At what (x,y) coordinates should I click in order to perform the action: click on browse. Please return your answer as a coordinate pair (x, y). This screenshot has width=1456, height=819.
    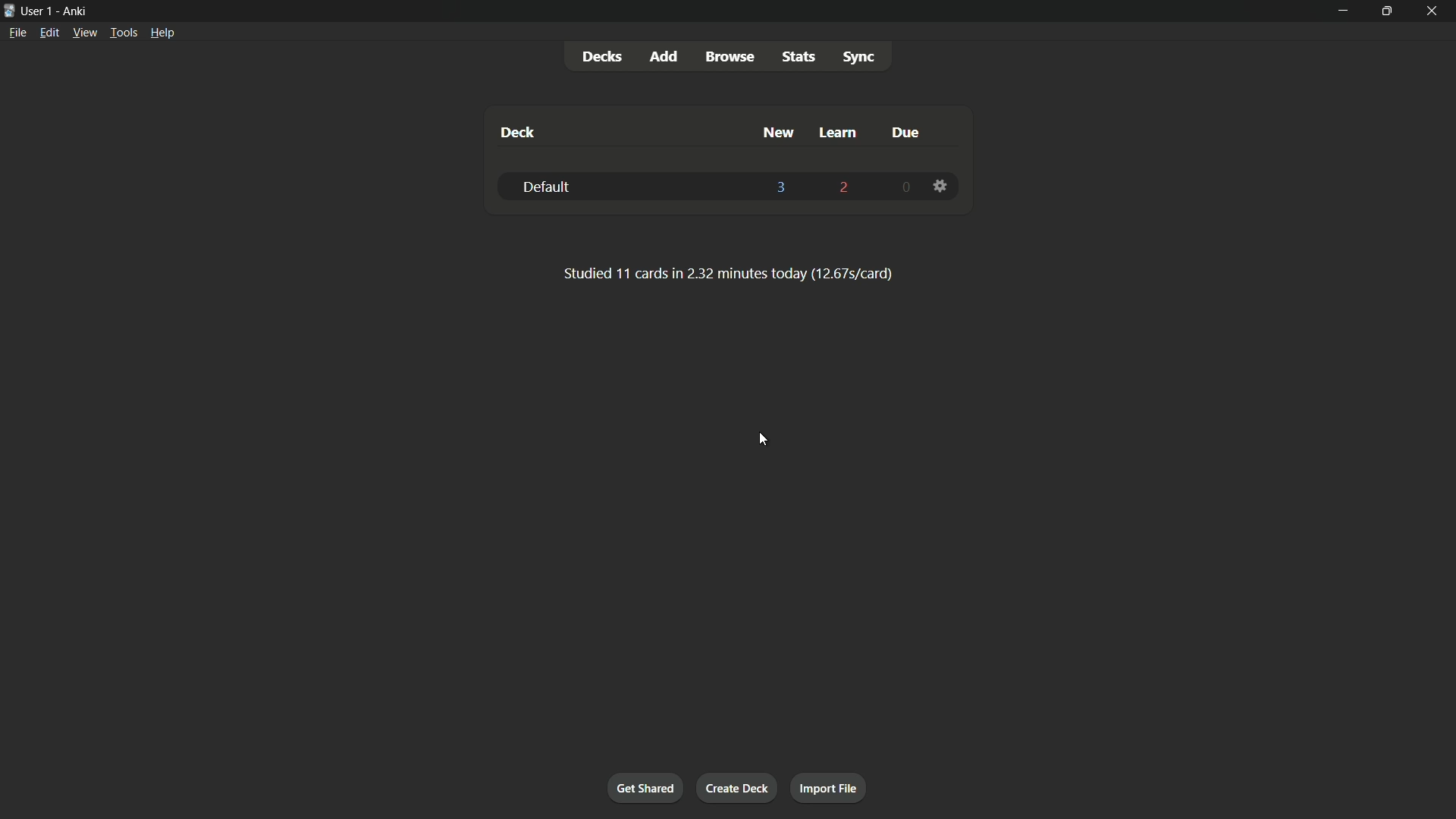
    Looking at the image, I should click on (729, 56).